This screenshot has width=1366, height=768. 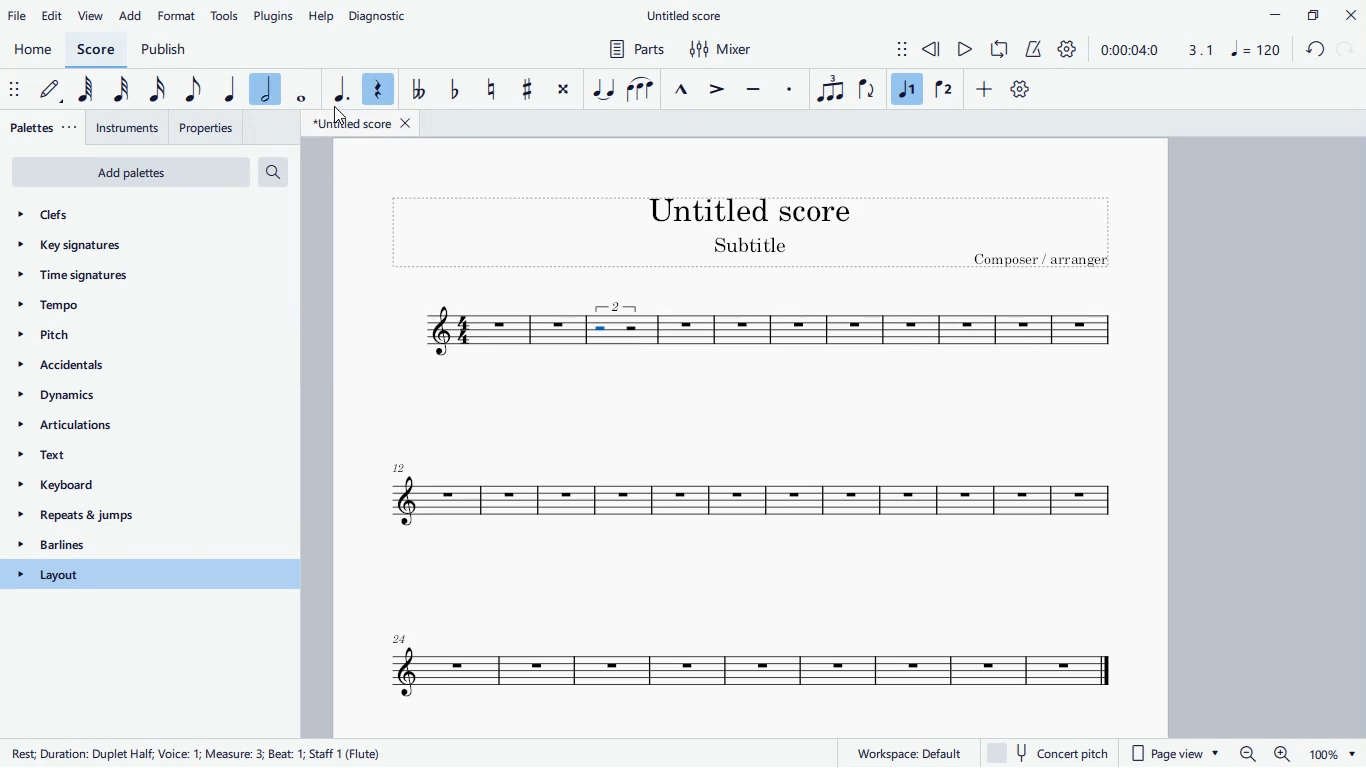 I want to click on rest, so click(x=377, y=87).